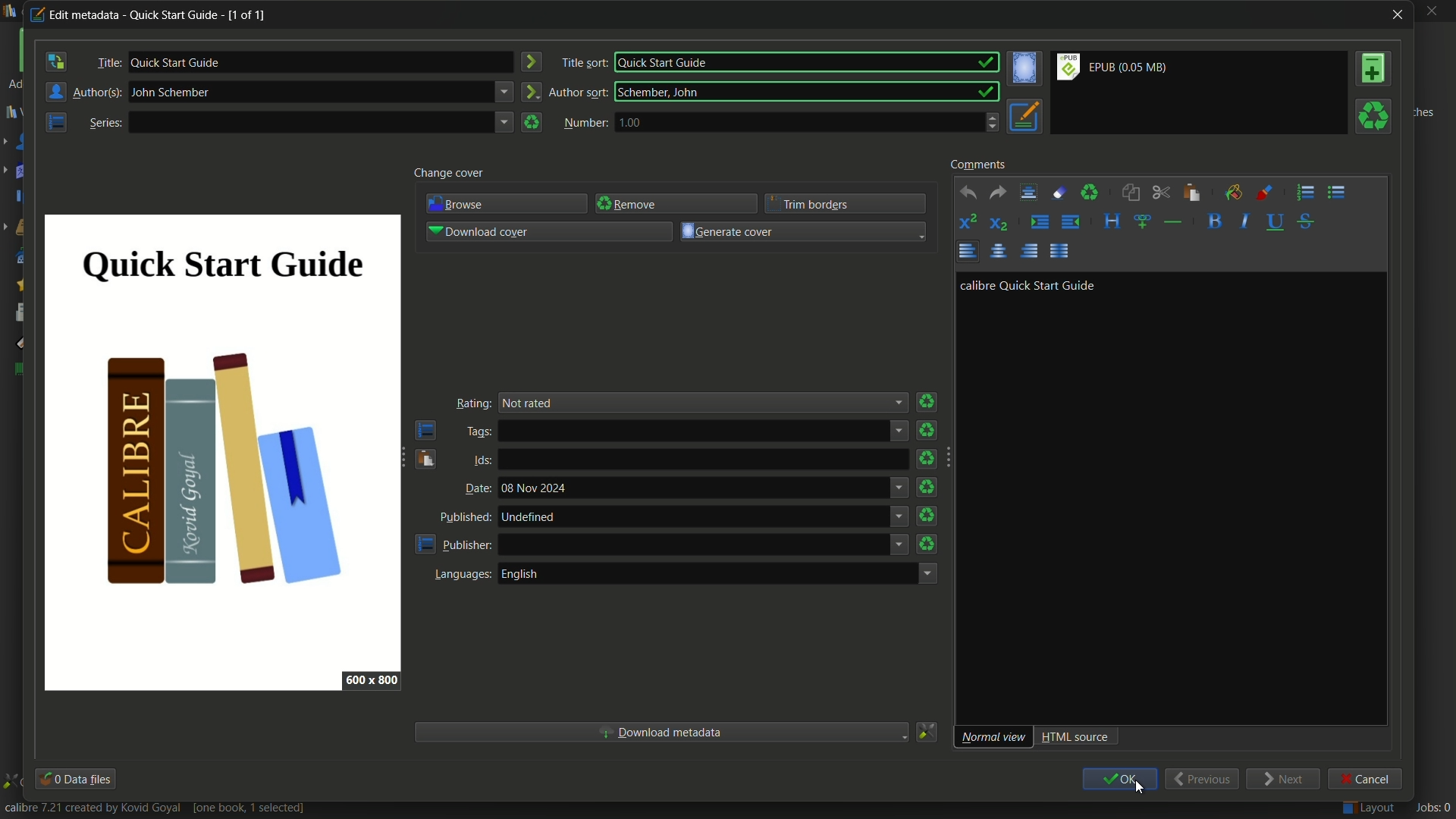 This screenshot has width=1456, height=819. Describe the element at coordinates (1144, 792) in the screenshot. I see `` at that location.